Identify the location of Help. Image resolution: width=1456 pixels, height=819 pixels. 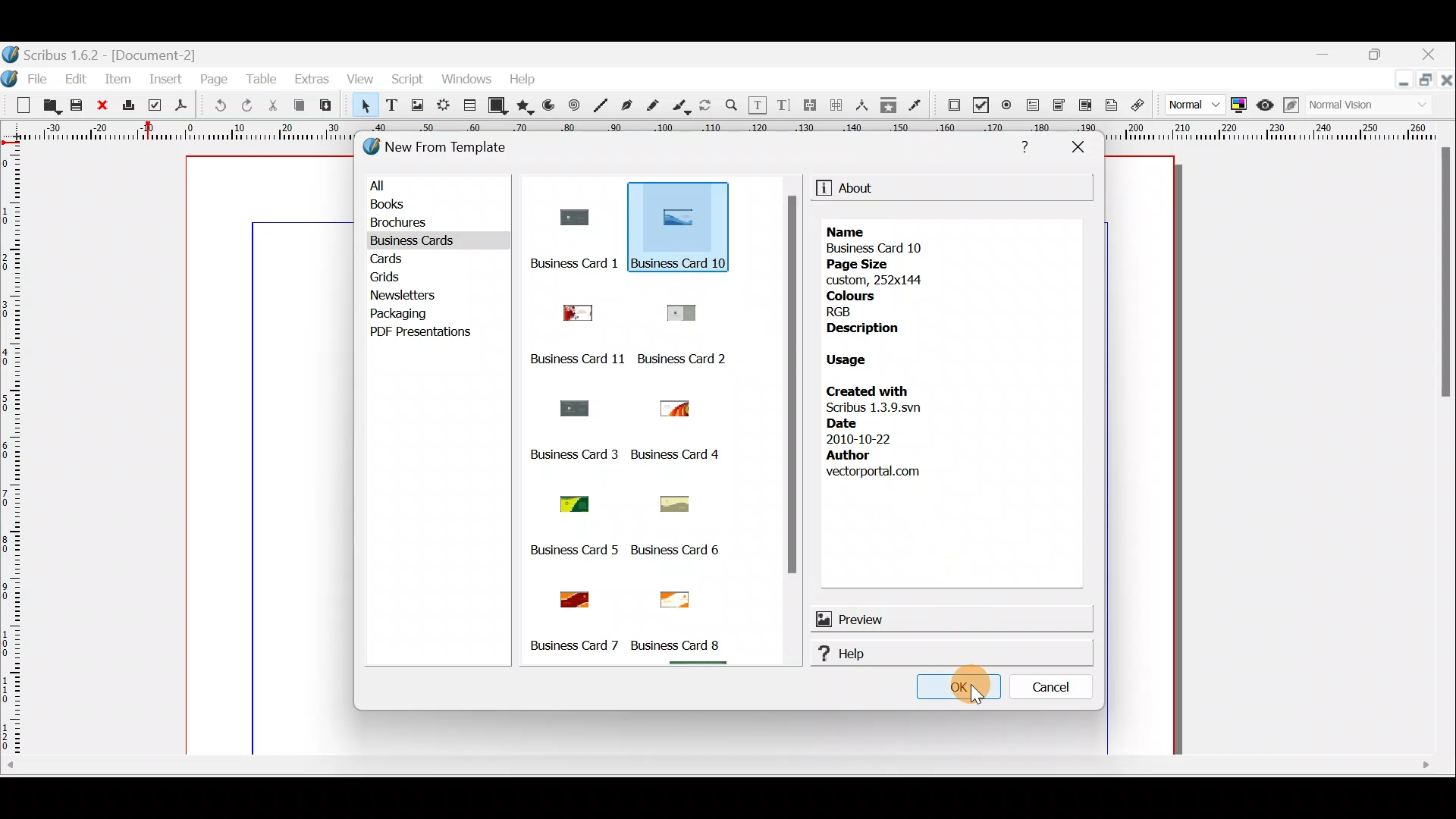
(526, 79).